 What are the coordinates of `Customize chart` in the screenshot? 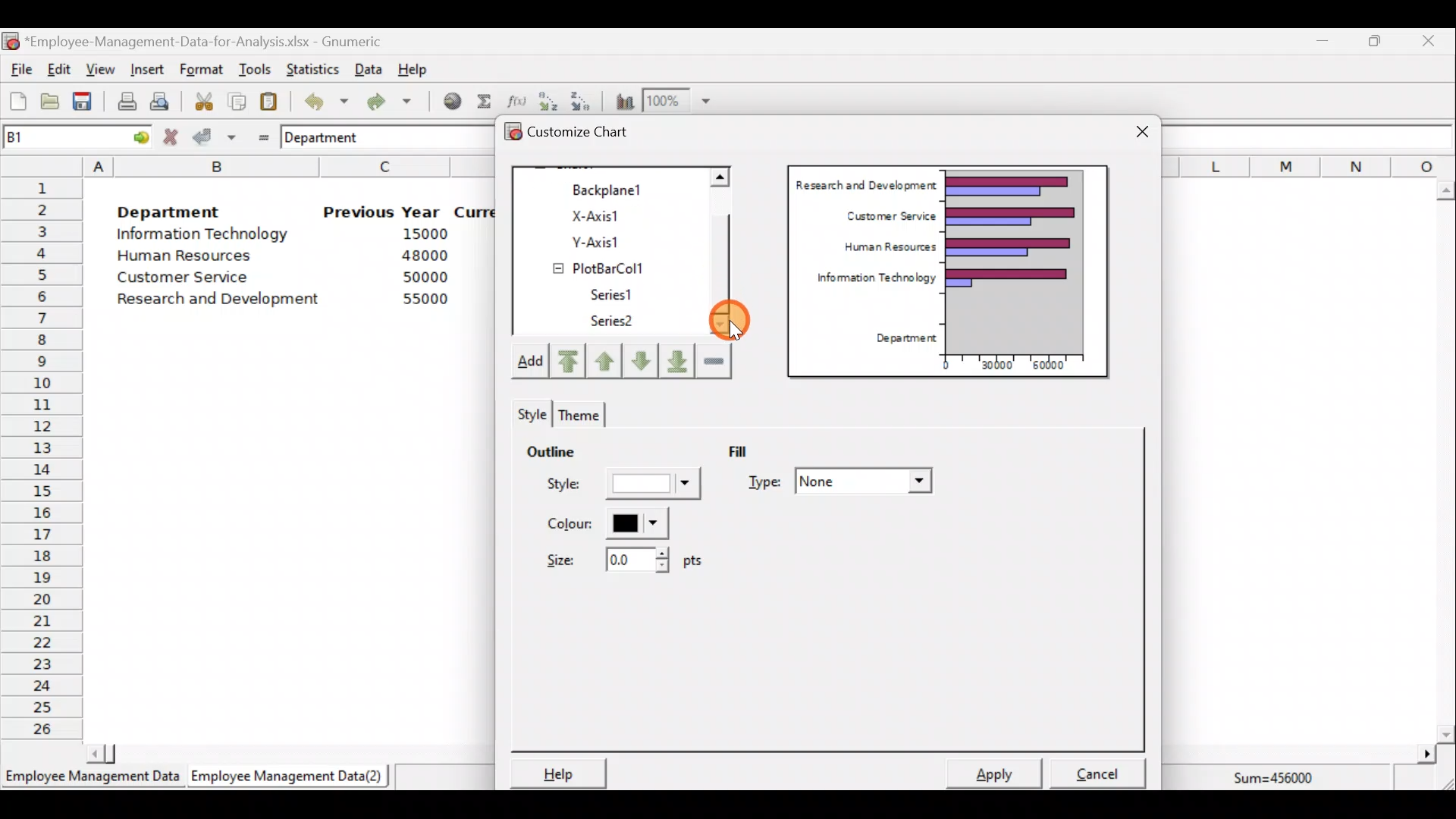 It's located at (588, 134).